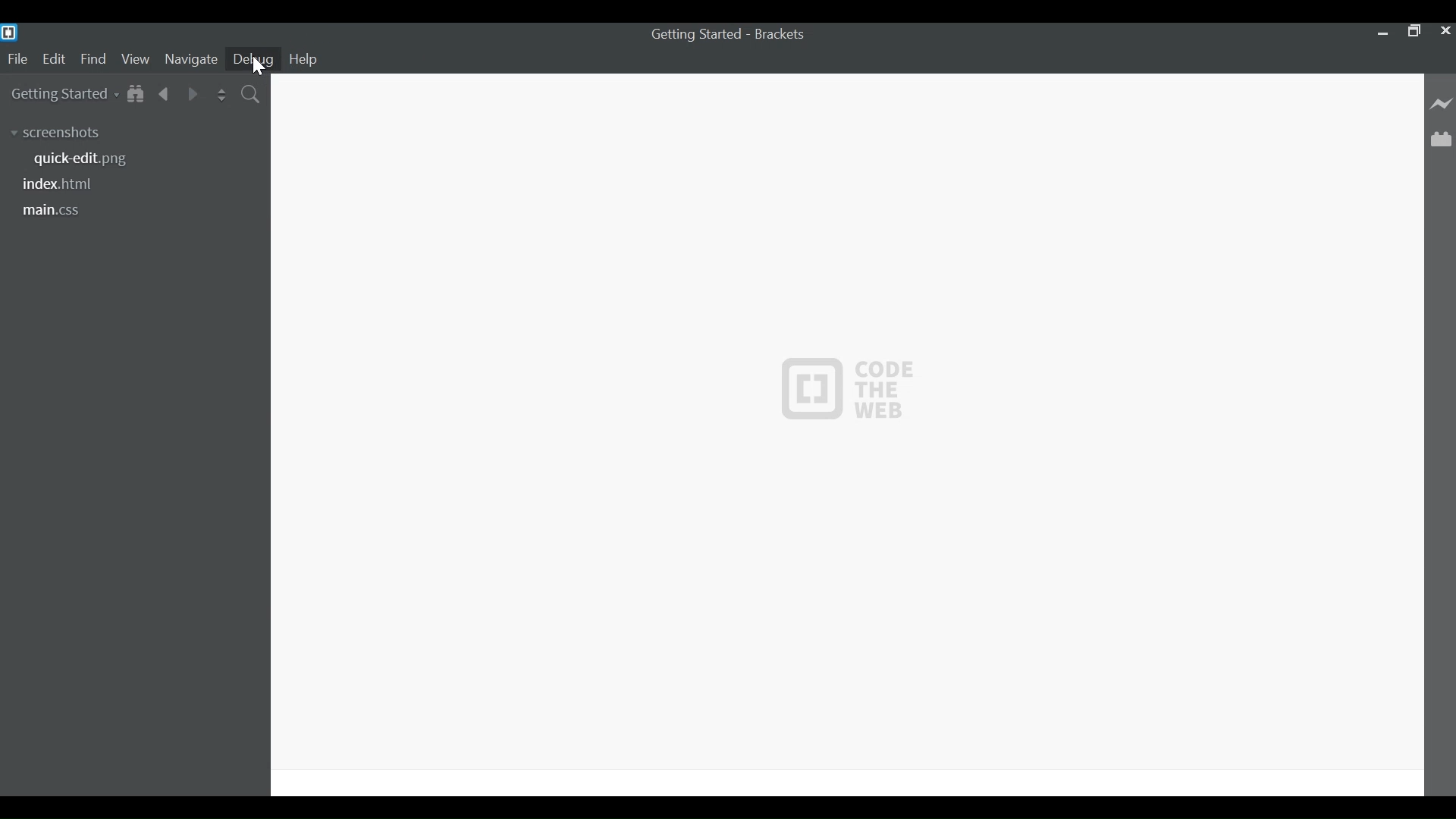 This screenshot has height=819, width=1456. What do you see at coordinates (1381, 30) in the screenshot?
I see `minimize` at bounding box center [1381, 30].